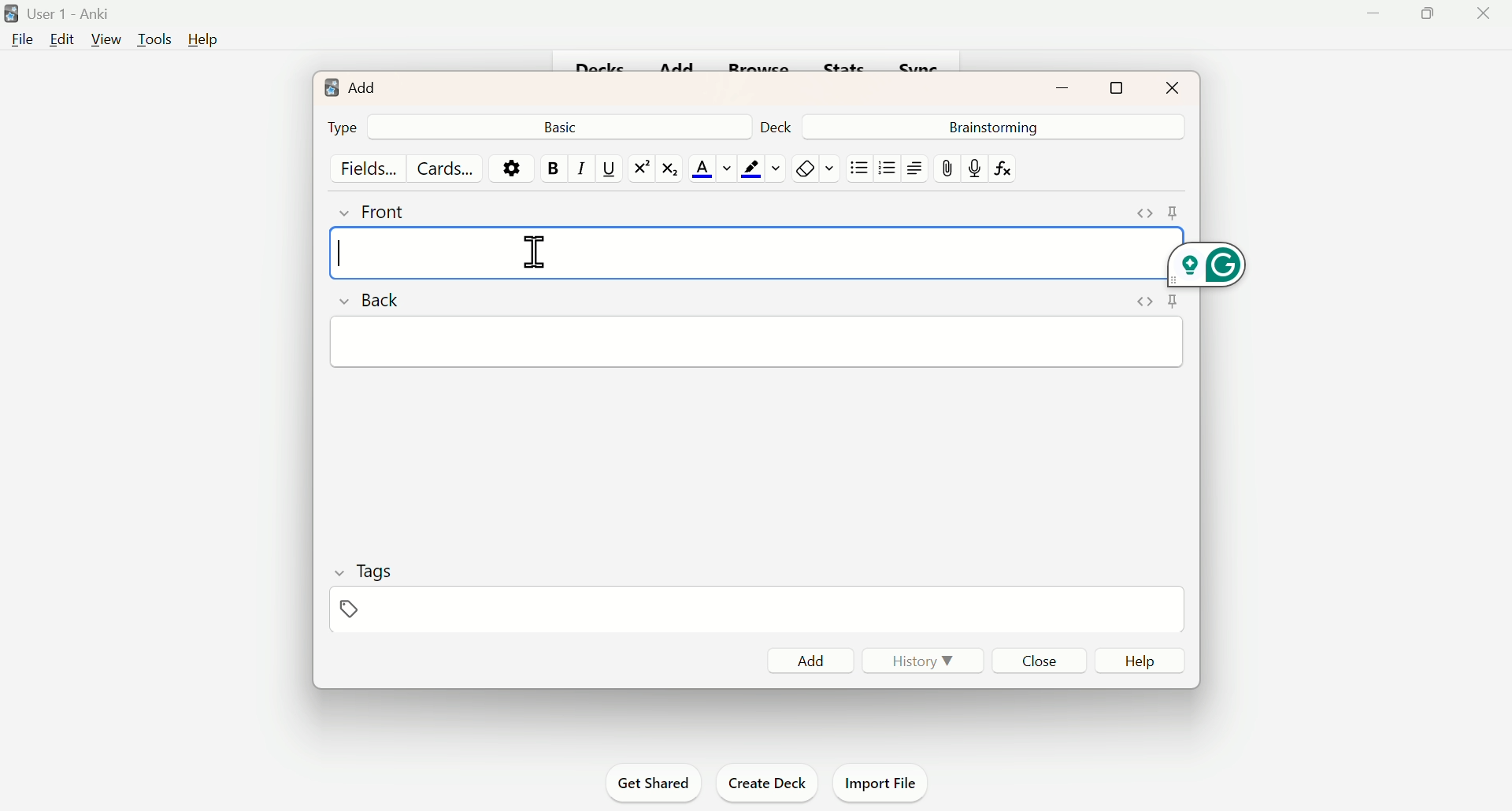 This screenshot has height=811, width=1512. What do you see at coordinates (764, 781) in the screenshot?
I see `Create Deck` at bounding box center [764, 781].